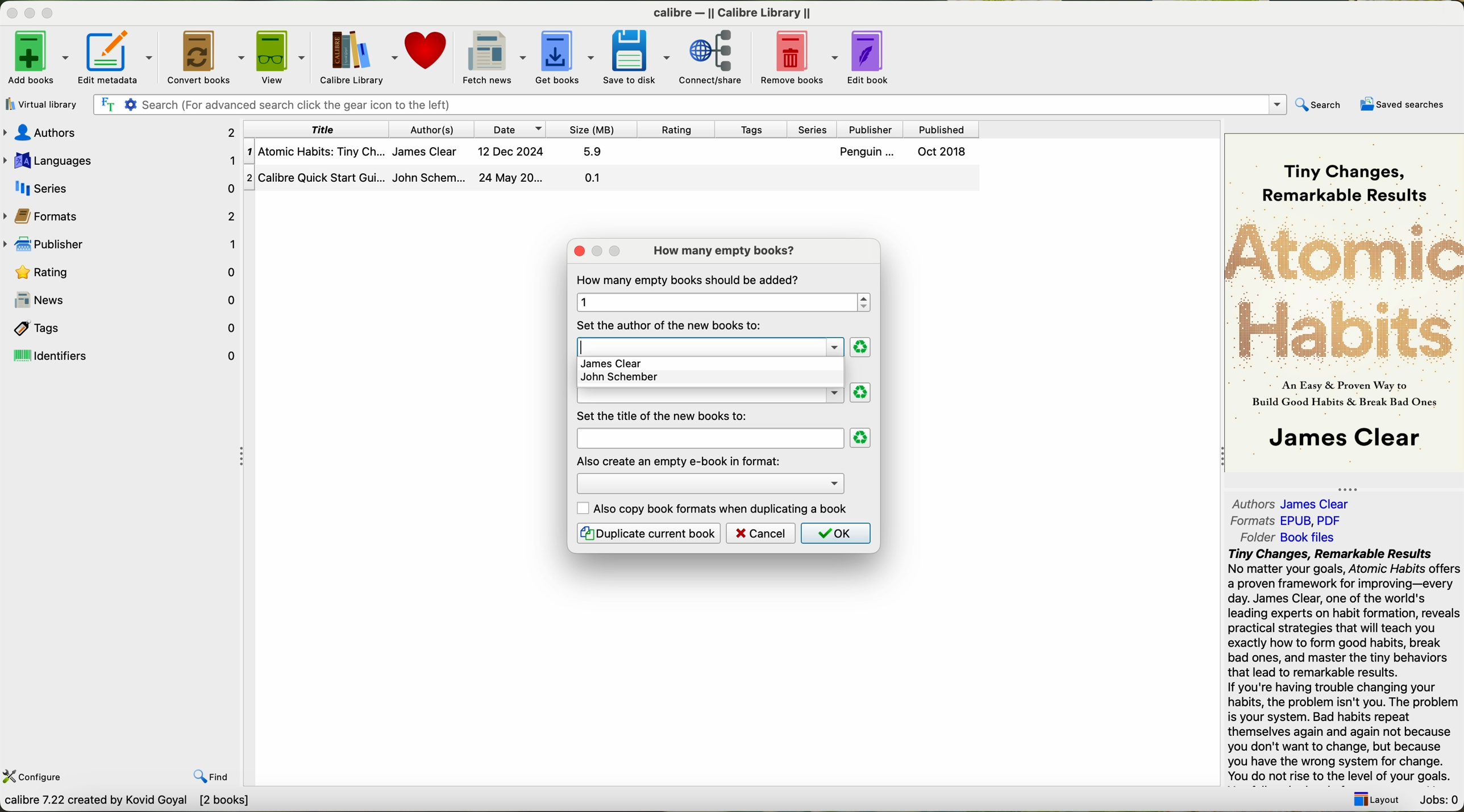 This screenshot has width=1464, height=812. Describe the element at coordinates (9, 9) in the screenshot. I see `close program` at that location.